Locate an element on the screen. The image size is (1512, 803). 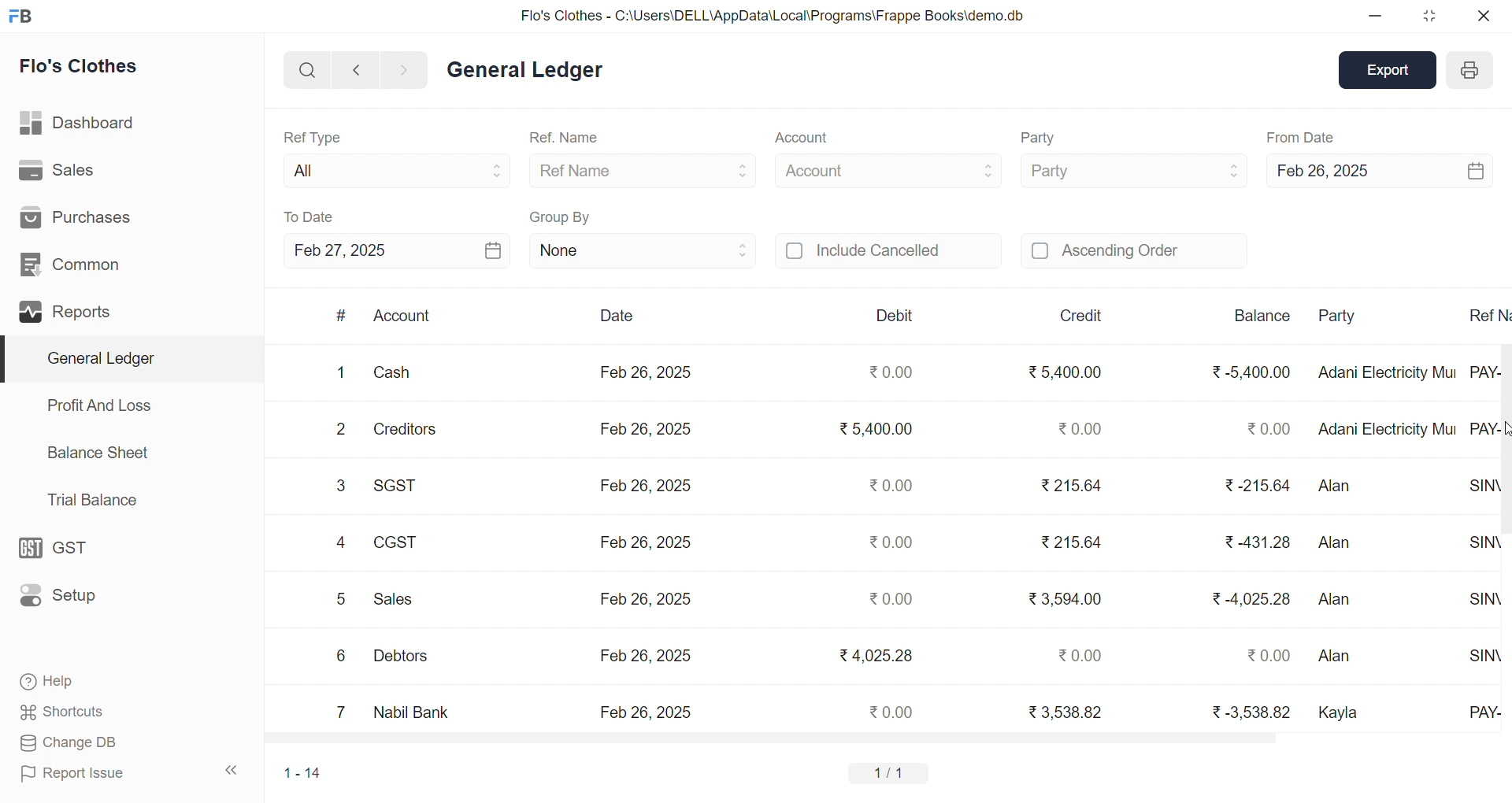
Feb 26, 2025 is located at coordinates (1378, 168).